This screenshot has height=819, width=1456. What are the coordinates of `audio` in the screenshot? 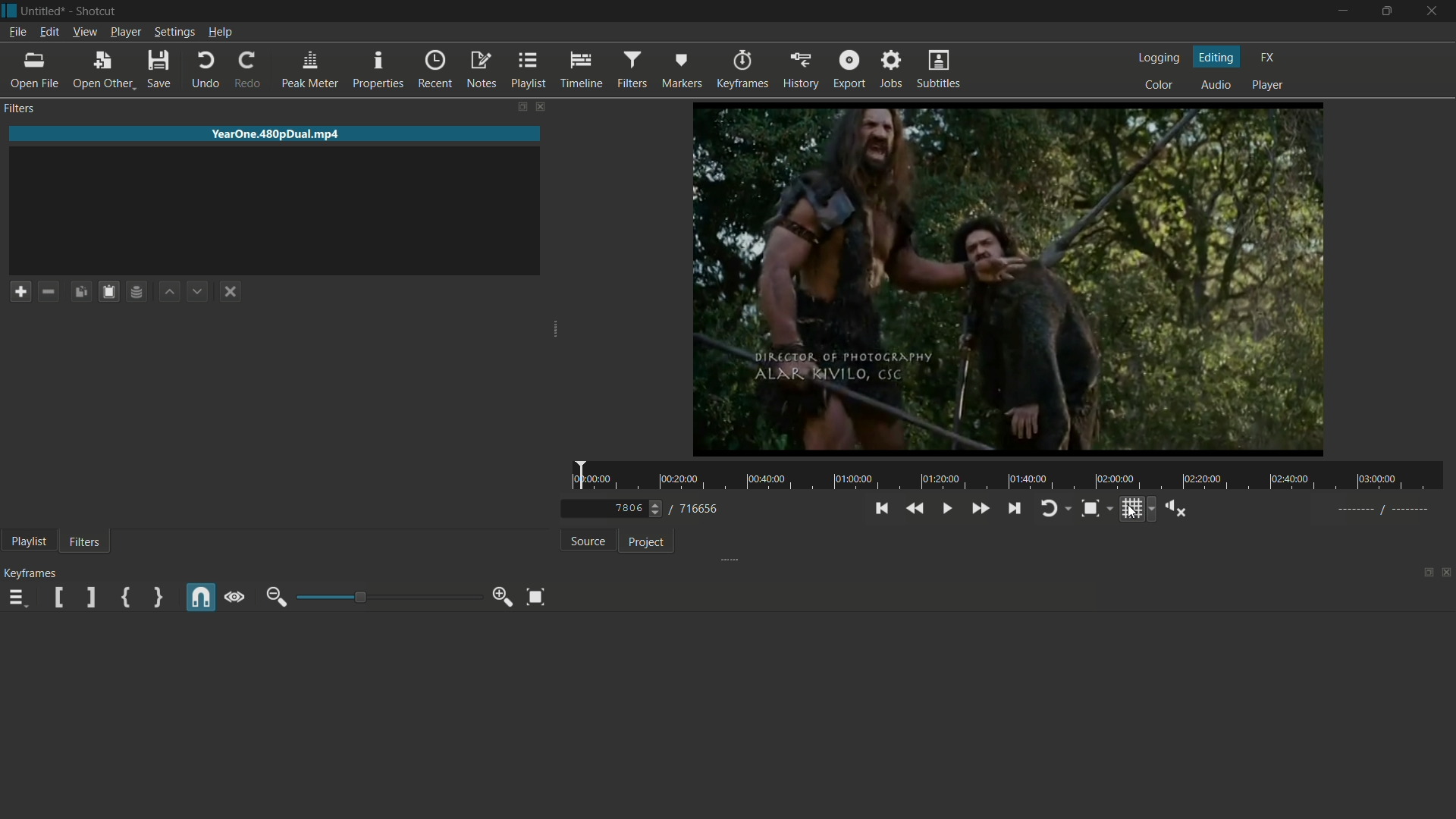 It's located at (1218, 86).